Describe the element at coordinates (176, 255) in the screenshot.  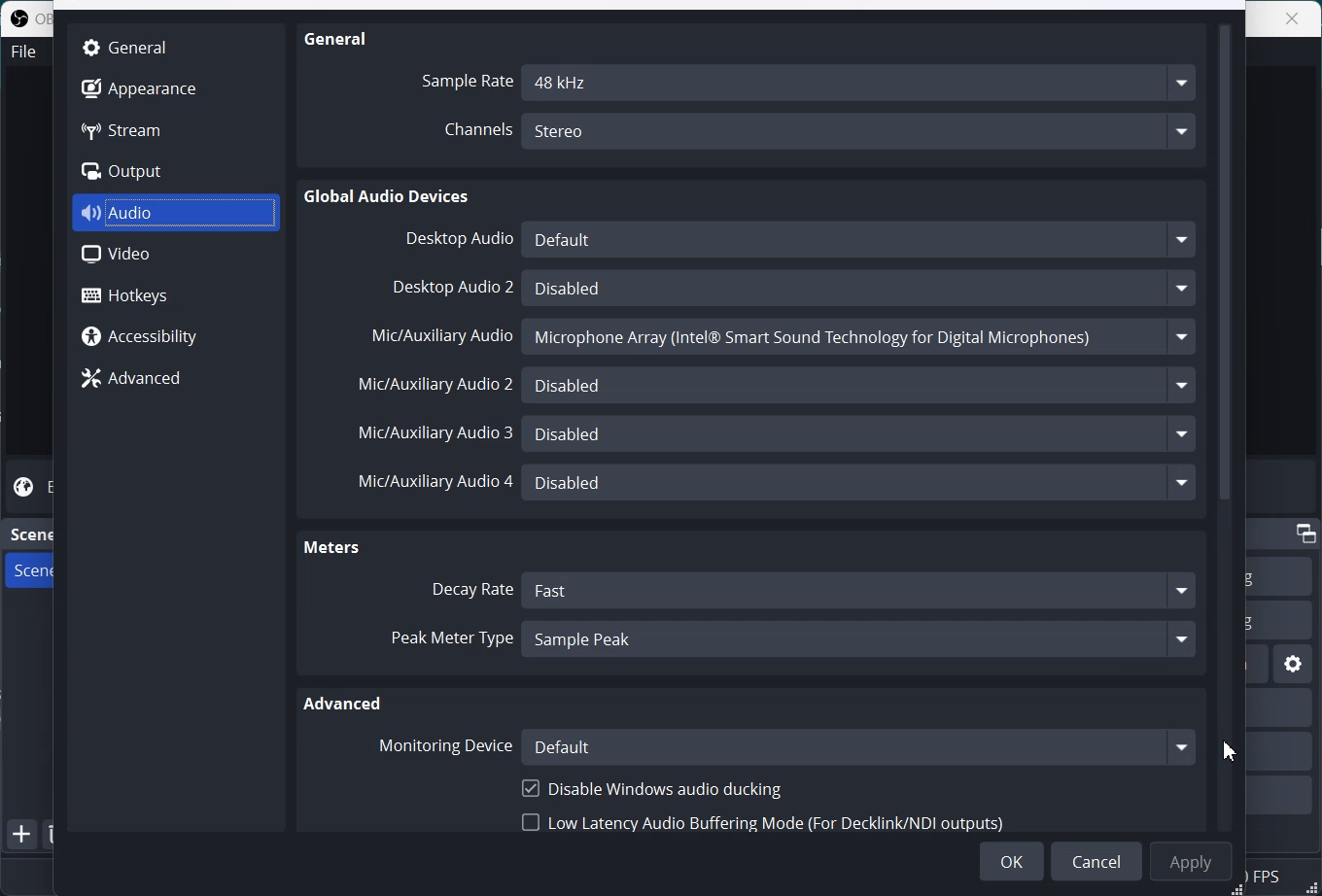
I see `Video` at that location.